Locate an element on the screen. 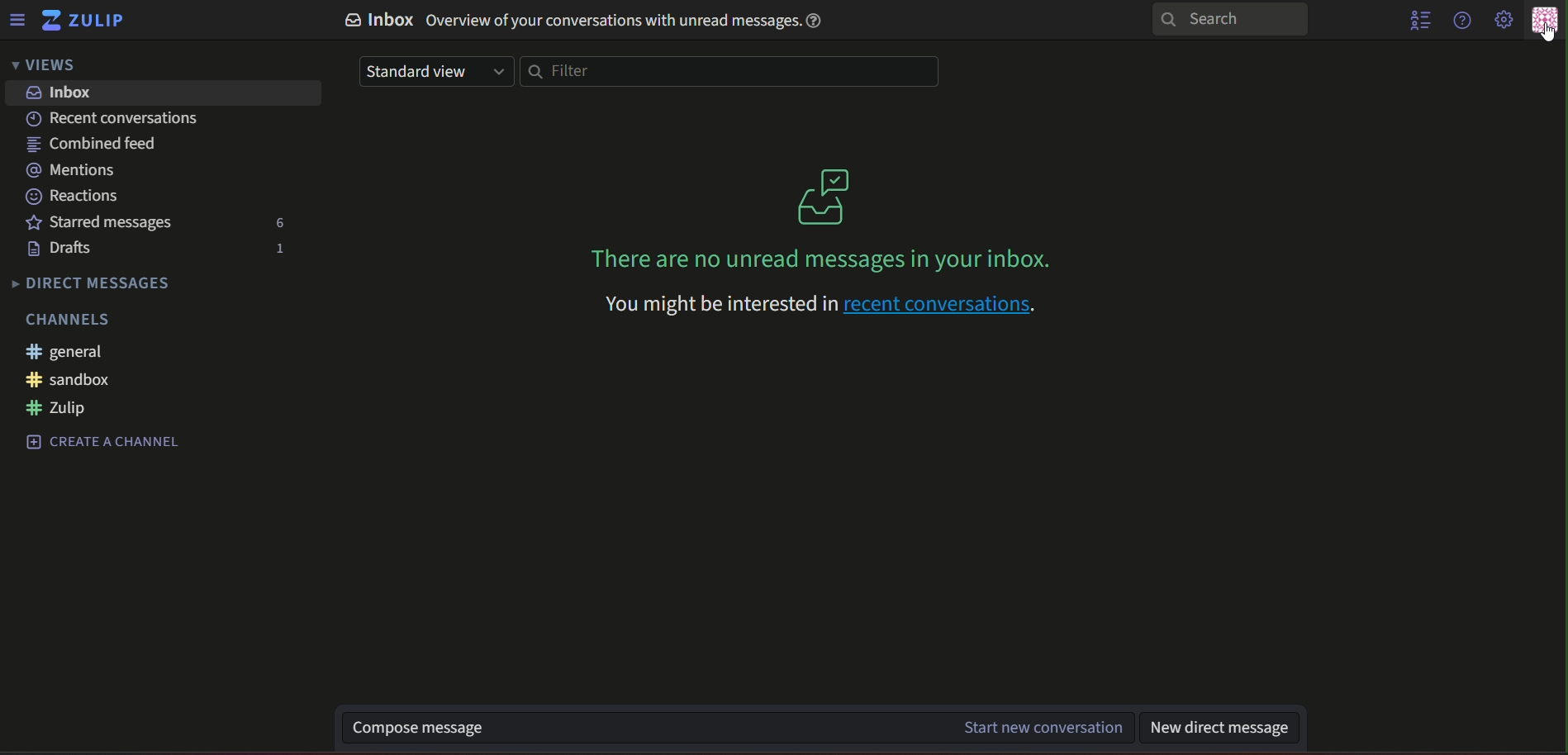 This screenshot has width=1568, height=755. help menu is located at coordinates (1461, 21).